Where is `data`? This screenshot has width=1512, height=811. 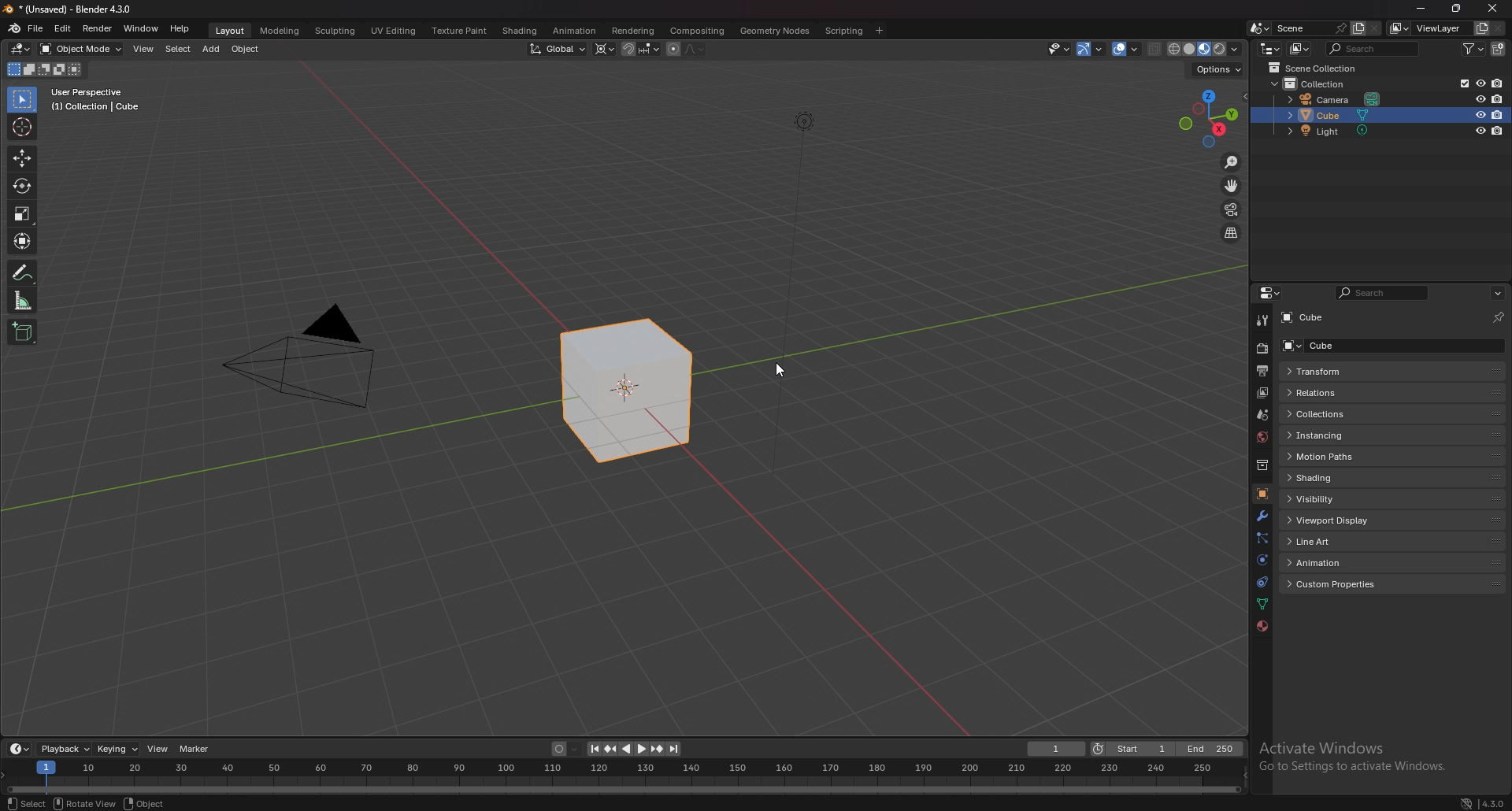
data is located at coordinates (1262, 605).